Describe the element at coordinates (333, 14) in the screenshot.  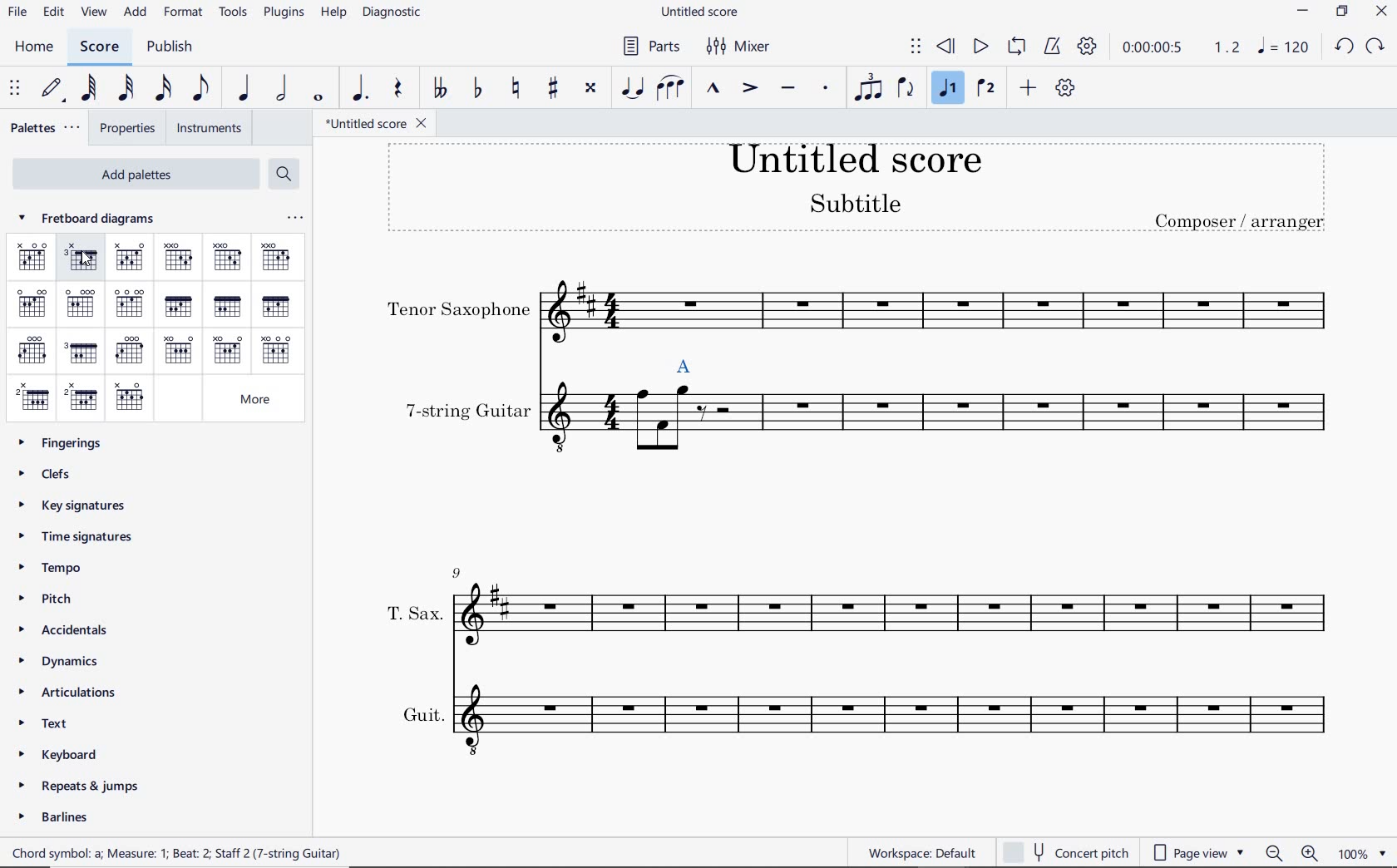
I see `HELP` at that location.